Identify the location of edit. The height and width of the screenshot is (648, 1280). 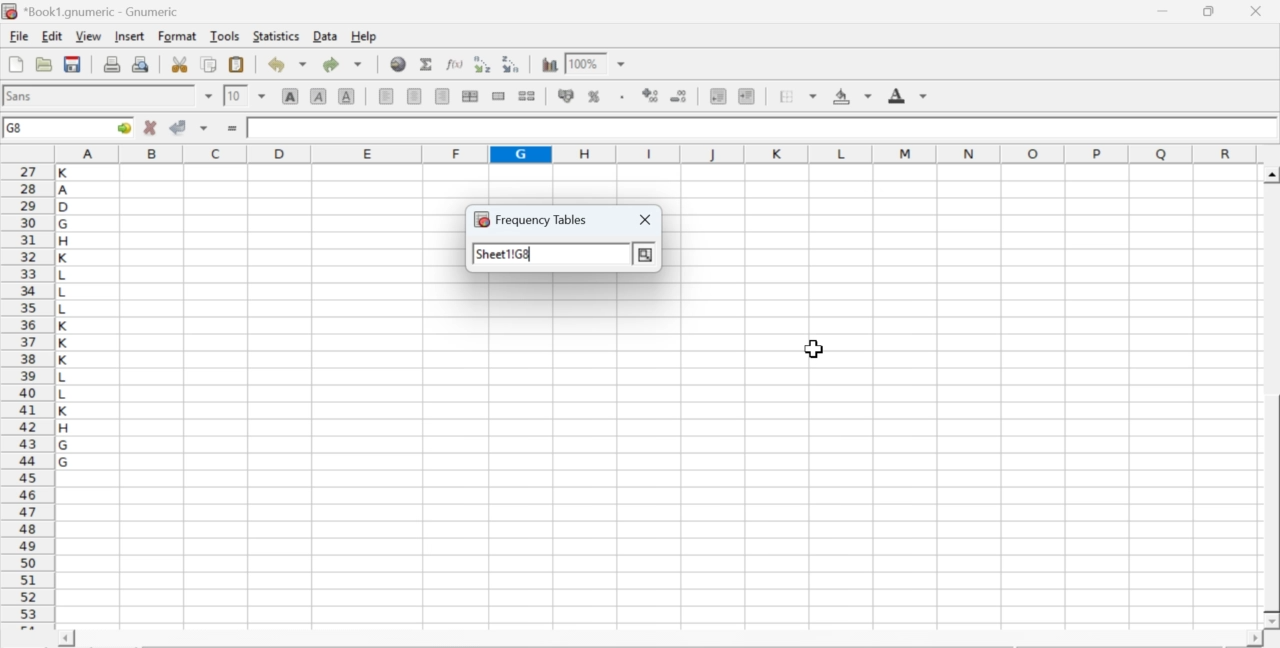
(52, 36).